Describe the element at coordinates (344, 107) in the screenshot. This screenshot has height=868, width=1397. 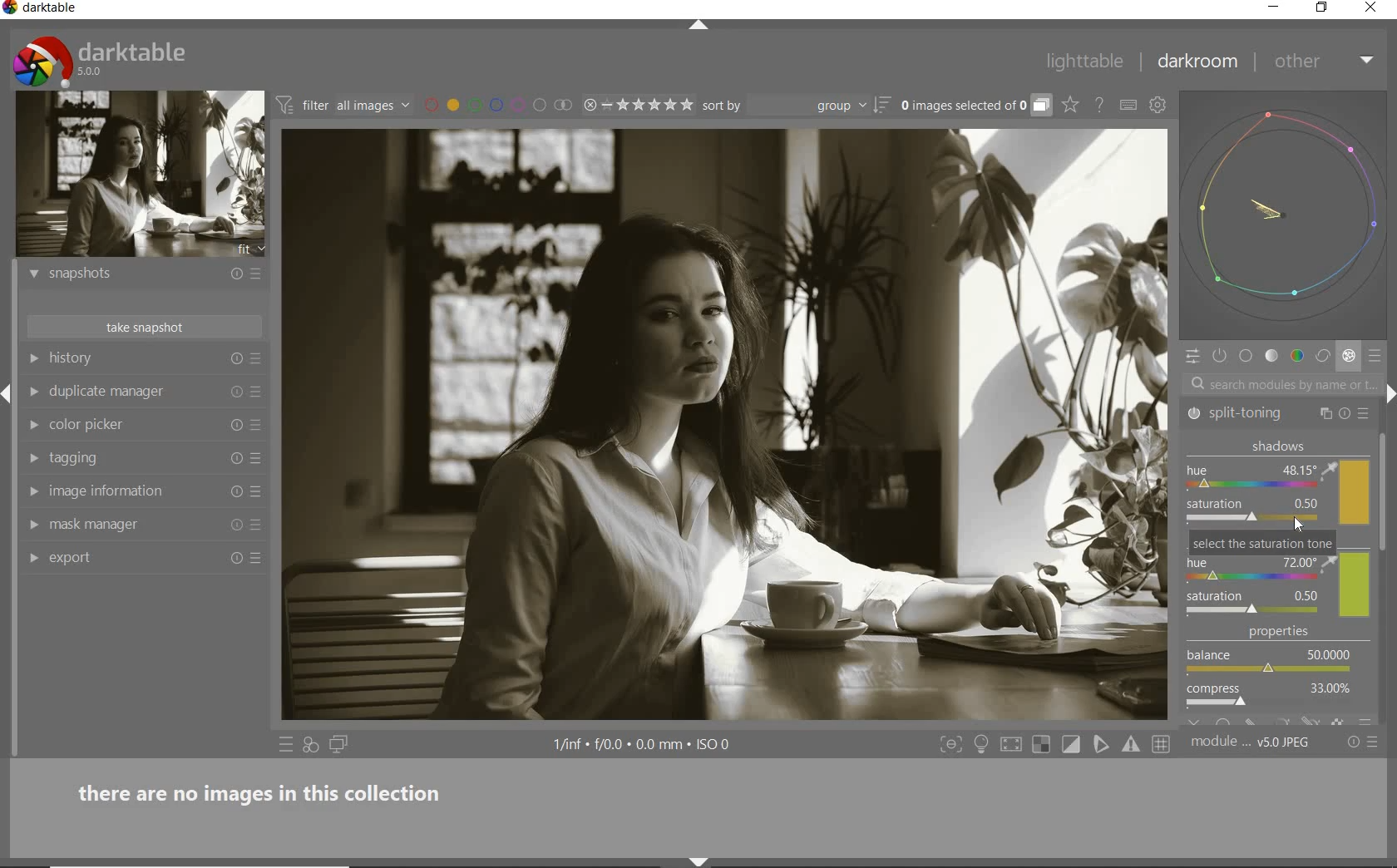
I see `filter images based on their module order` at that location.